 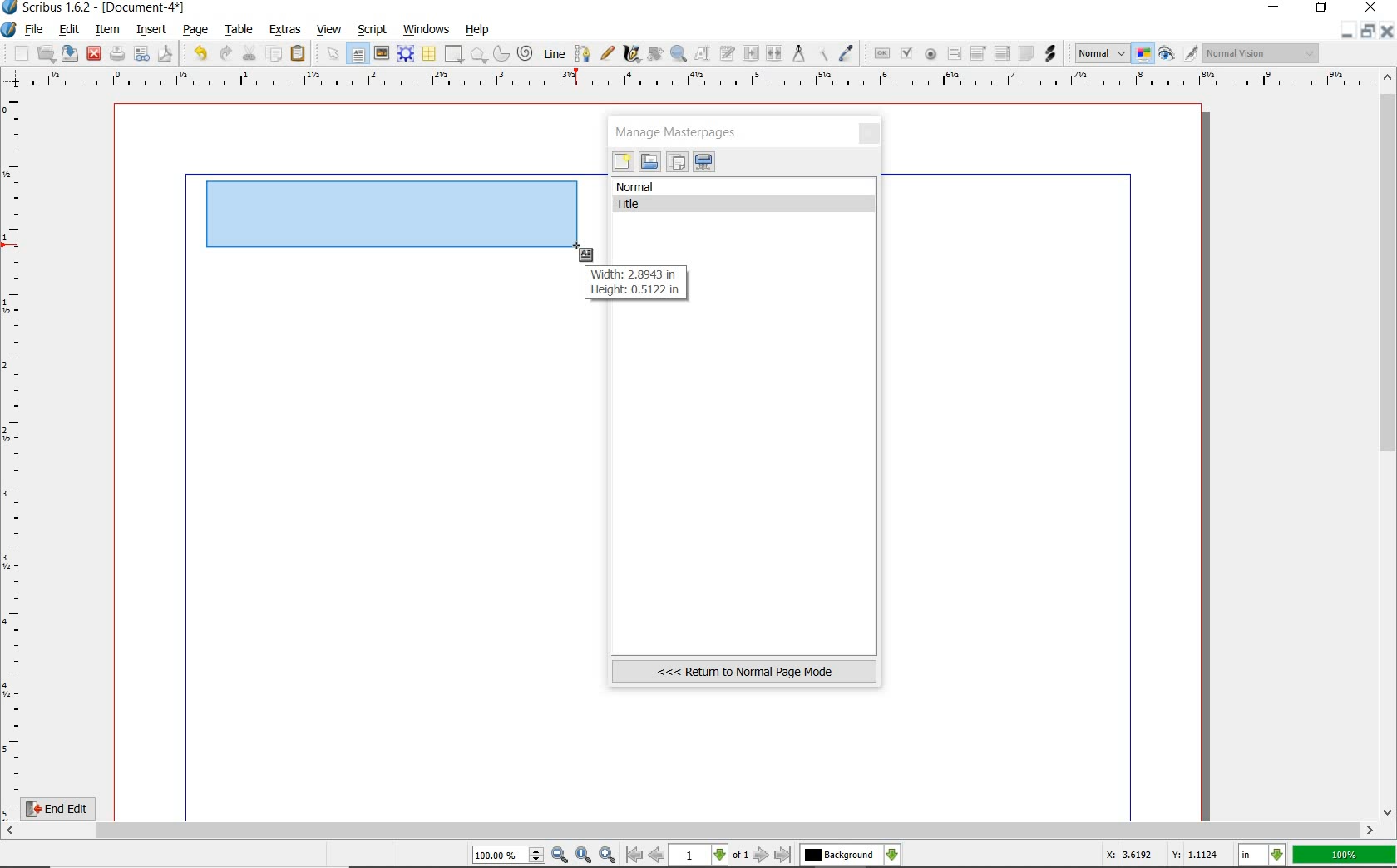 What do you see at coordinates (560, 856) in the screenshot?
I see `zoom out` at bounding box center [560, 856].